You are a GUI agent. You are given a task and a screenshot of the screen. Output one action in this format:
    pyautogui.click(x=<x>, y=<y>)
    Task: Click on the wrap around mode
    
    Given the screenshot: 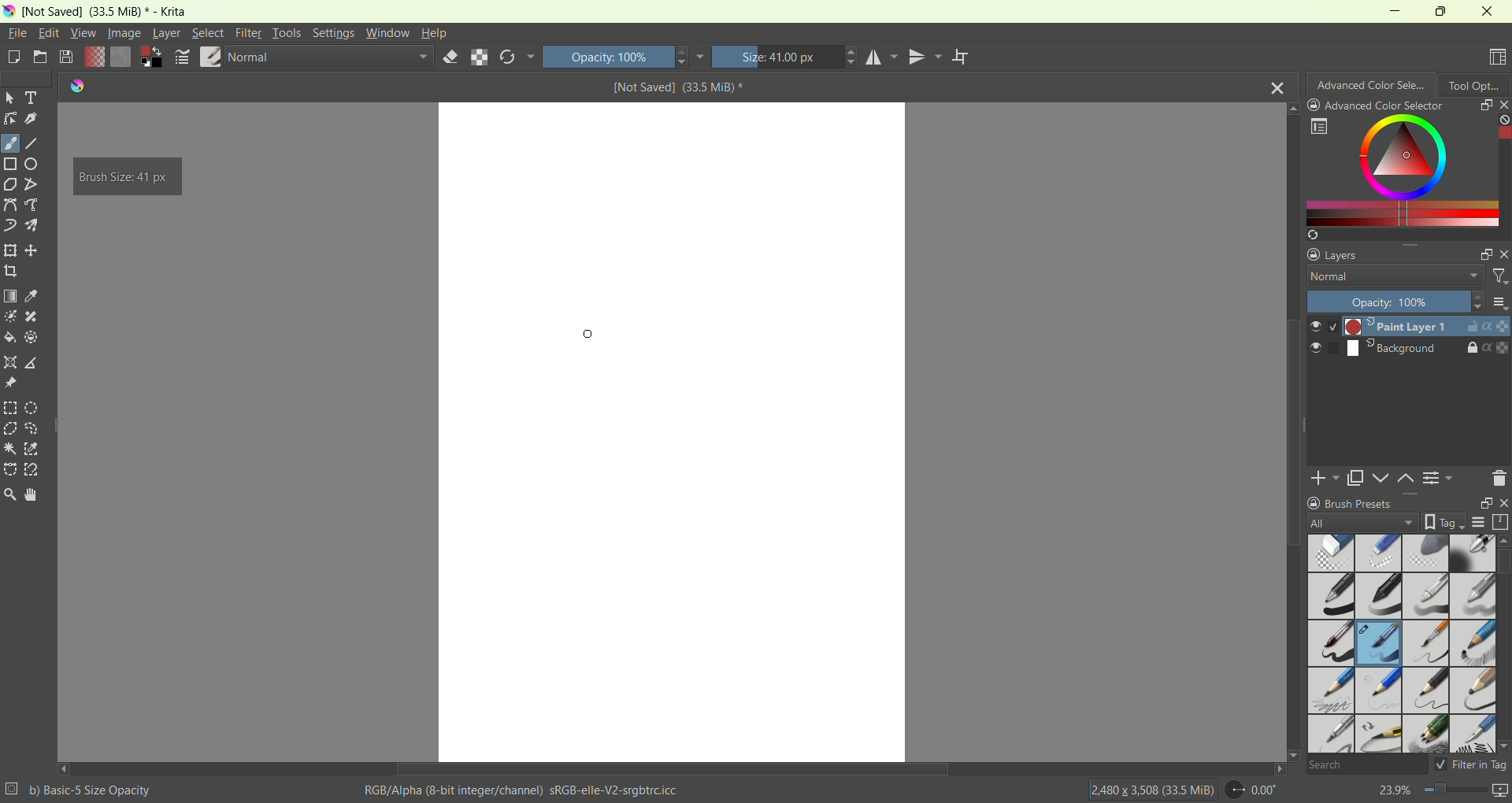 What is the action you would take?
    pyautogui.click(x=962, y=57)
    